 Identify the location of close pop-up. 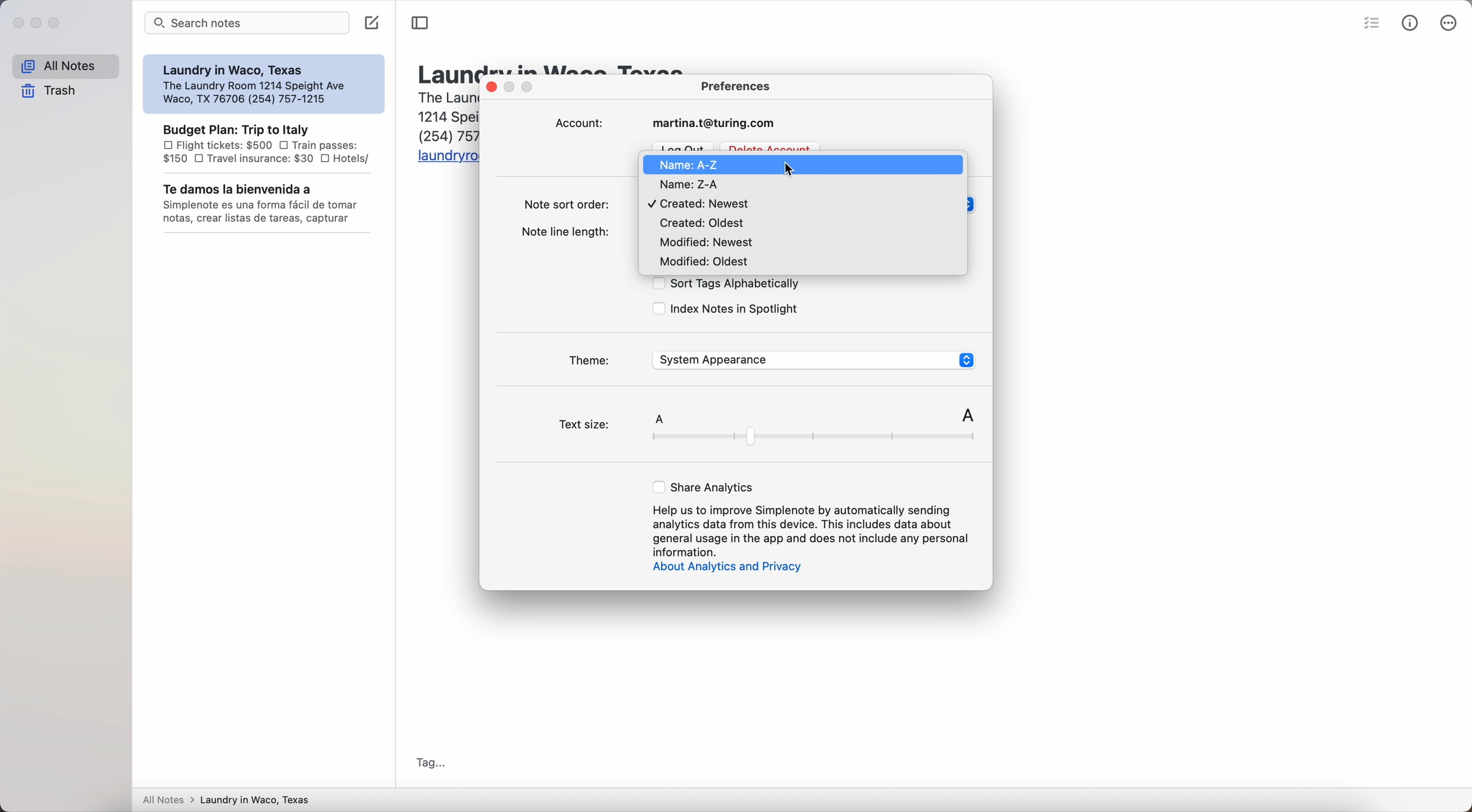
(493, 86).